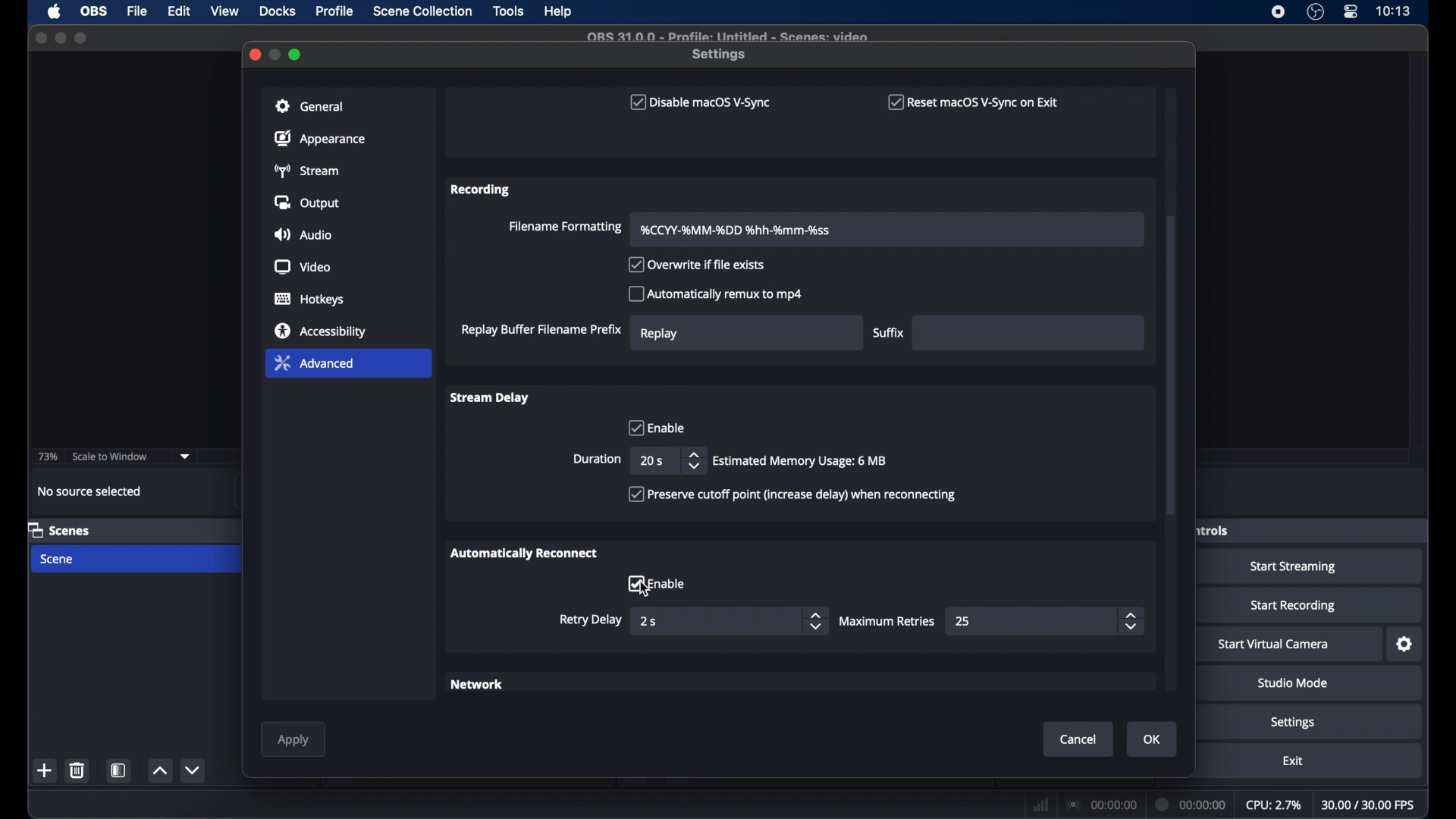 Image resolution: width=1456 pixels, height=819 pixels. Describe the element at coordinates (698, 265) in the screenshot. I see `overwrite if file exists ` at that location.